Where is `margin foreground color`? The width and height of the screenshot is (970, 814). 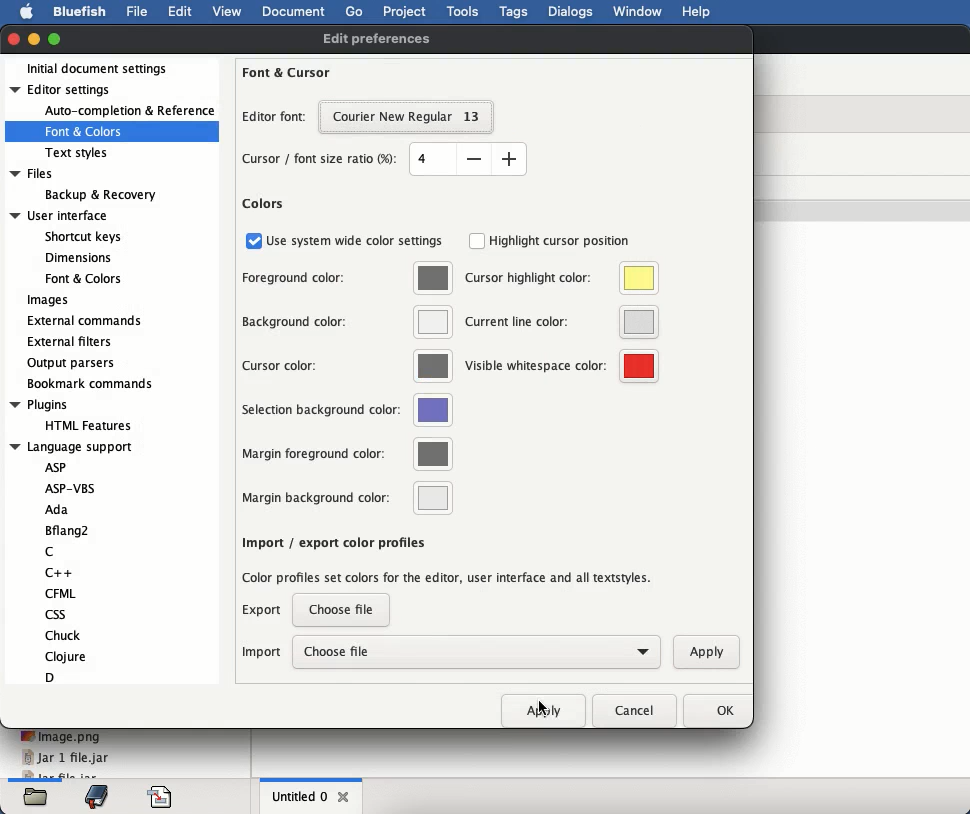 margin foreground color is located at coordinates (346, 455).